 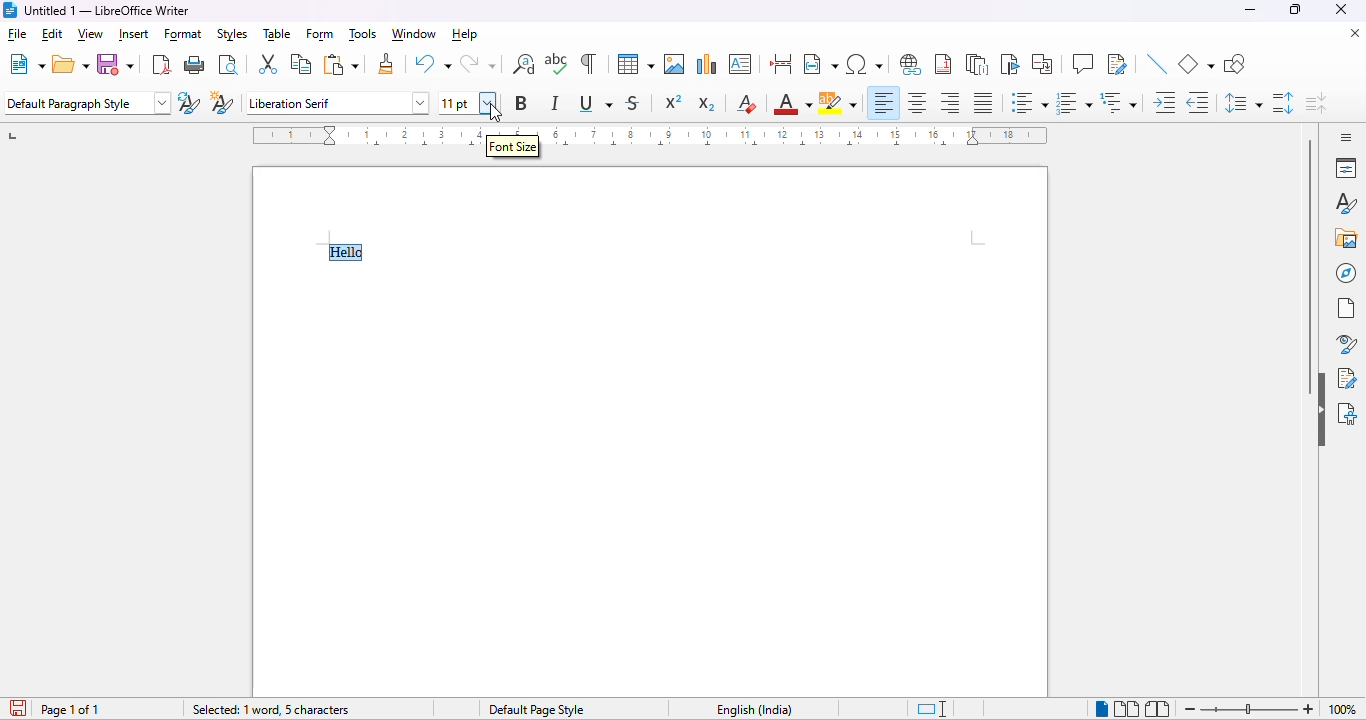 I want to click on check spelling, so click(x=557, y=63).